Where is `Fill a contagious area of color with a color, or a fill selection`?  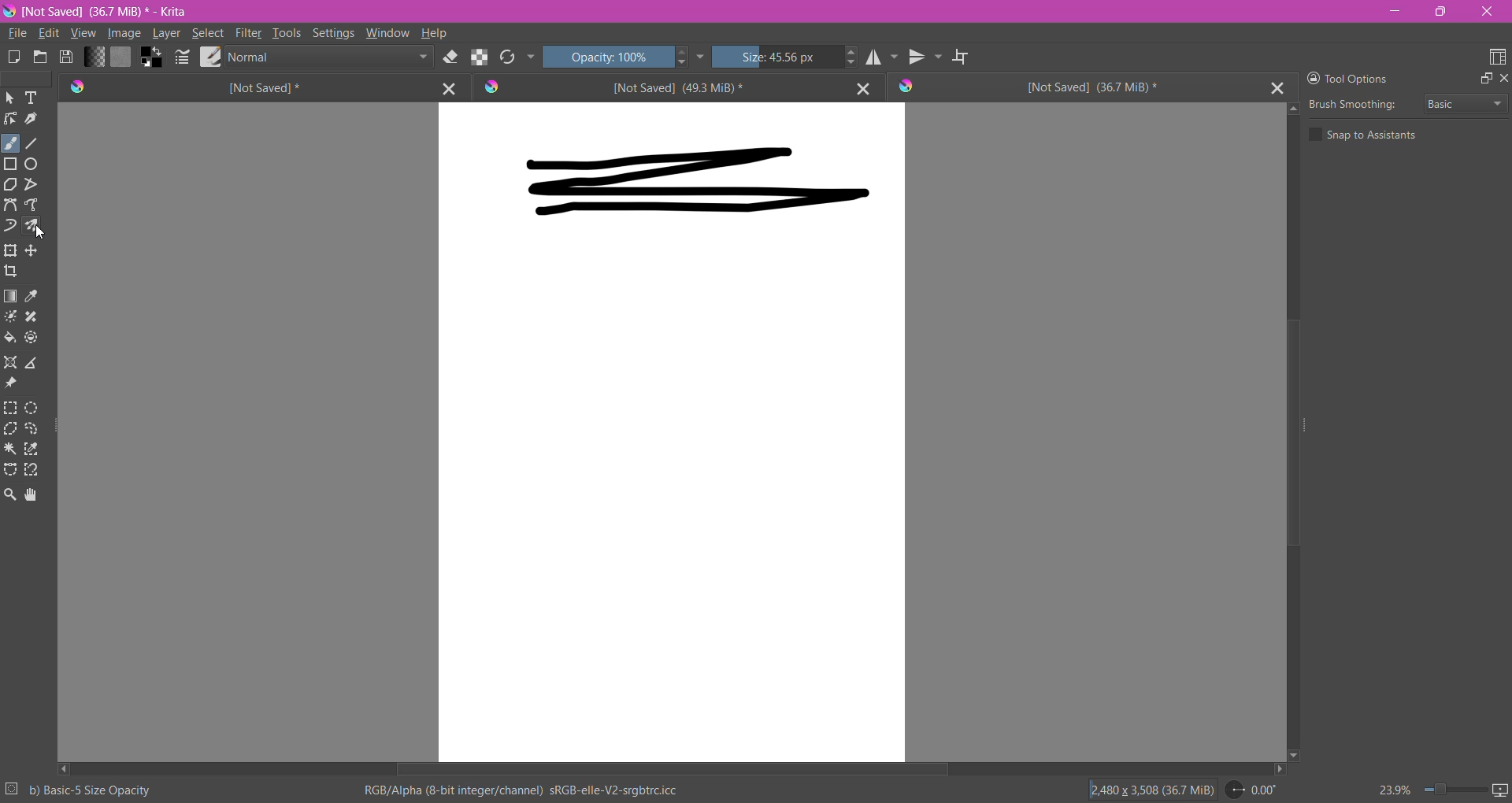 Fill a contagious area of color with a color, or a fill selection is located at coordinates (11, 338).